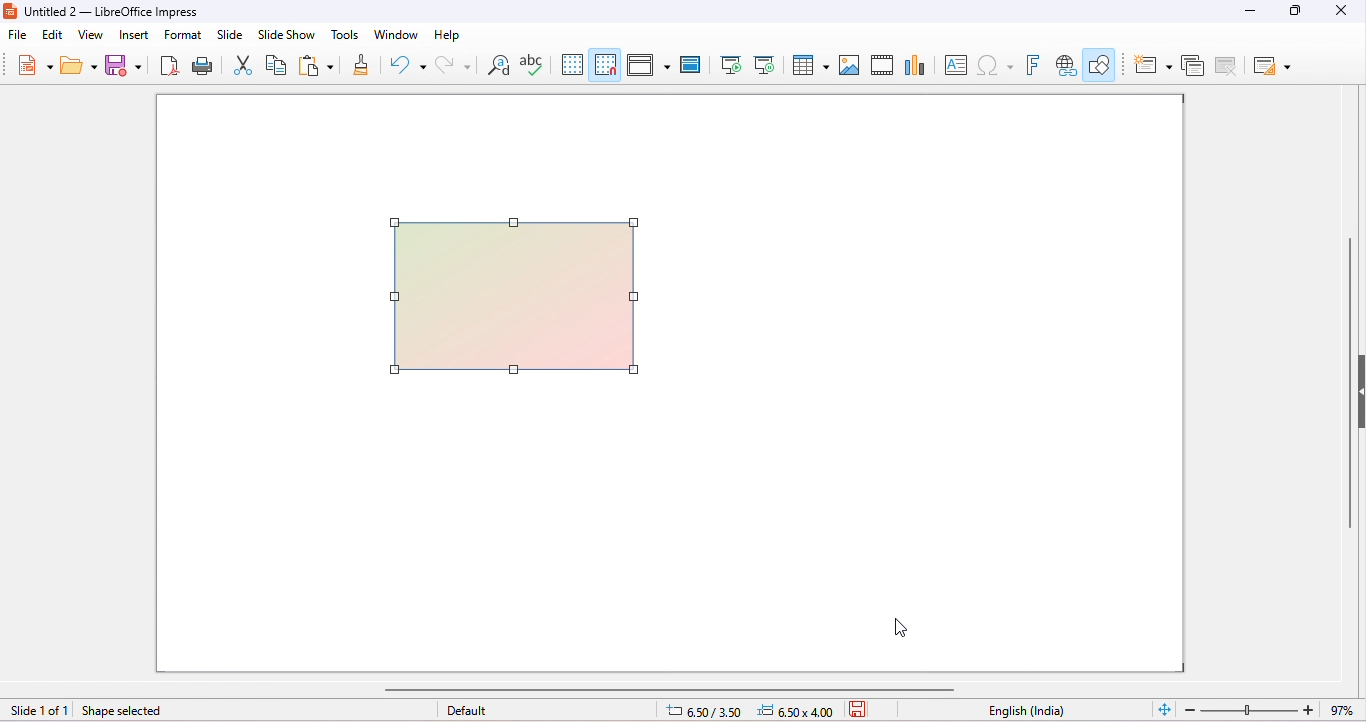 The height and width of the screenshot is (722, 1366). What do you see at coordinates (133, 712) in the screenshot?
I see `shape selected` at bounding box center [133, 712].